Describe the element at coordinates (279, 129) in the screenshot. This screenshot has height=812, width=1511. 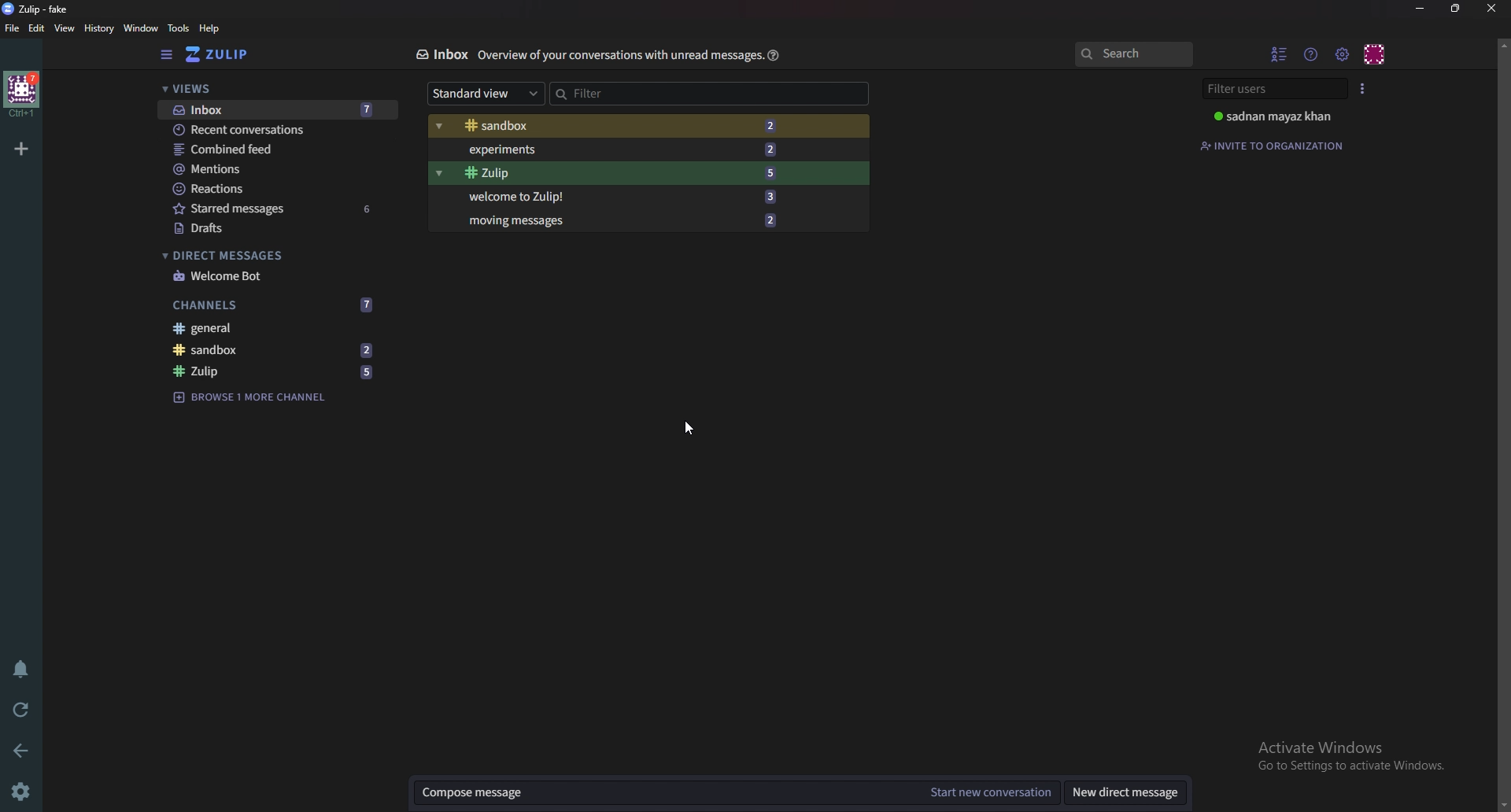
I see `Recent conversations` at that location.